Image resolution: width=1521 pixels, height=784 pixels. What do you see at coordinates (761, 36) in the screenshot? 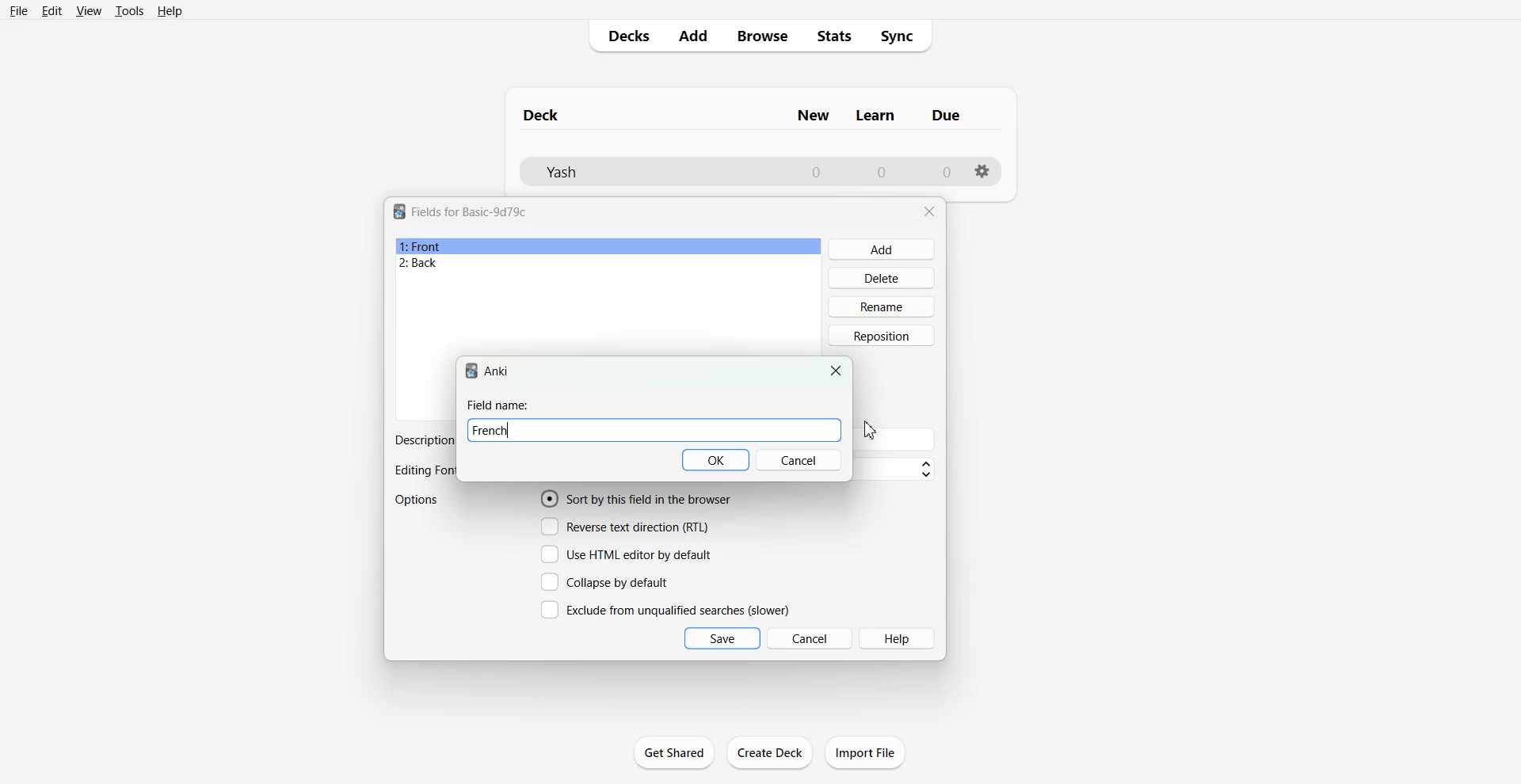
I see `Browse` at bounding box center [761, 36].